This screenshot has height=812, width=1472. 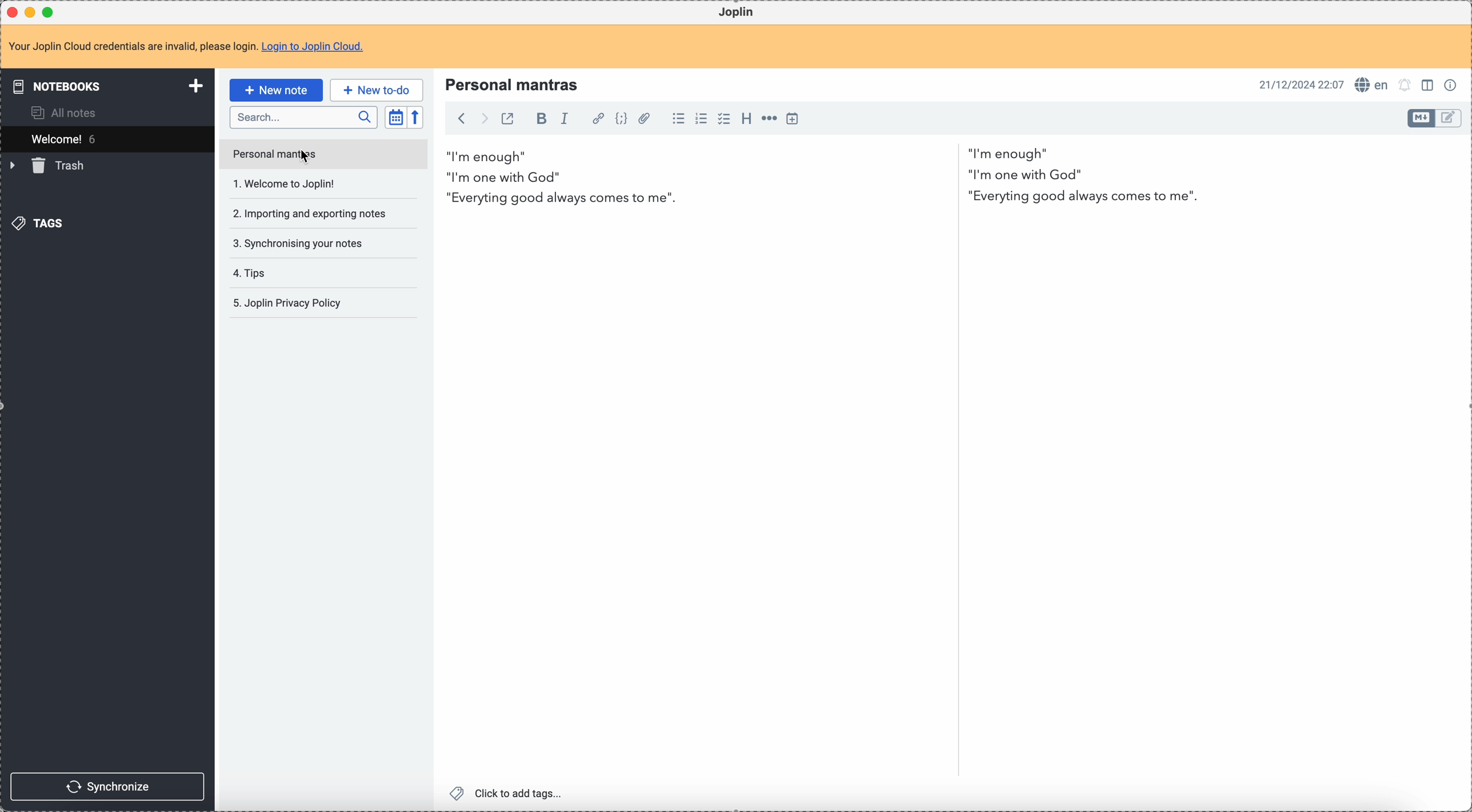 I want to click on Personal mantras, so click(x=512, y=85).